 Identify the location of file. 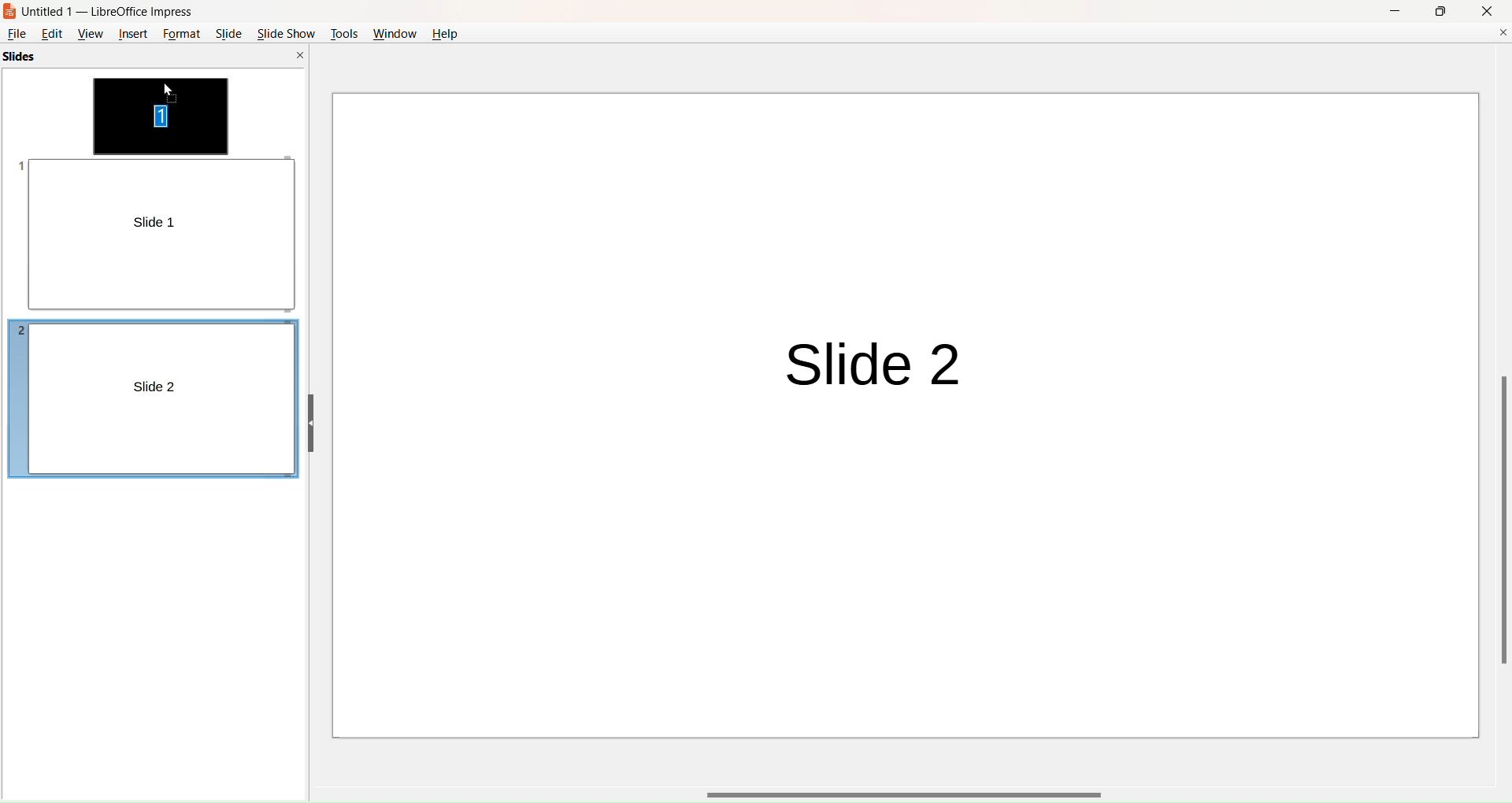
(18, 33).